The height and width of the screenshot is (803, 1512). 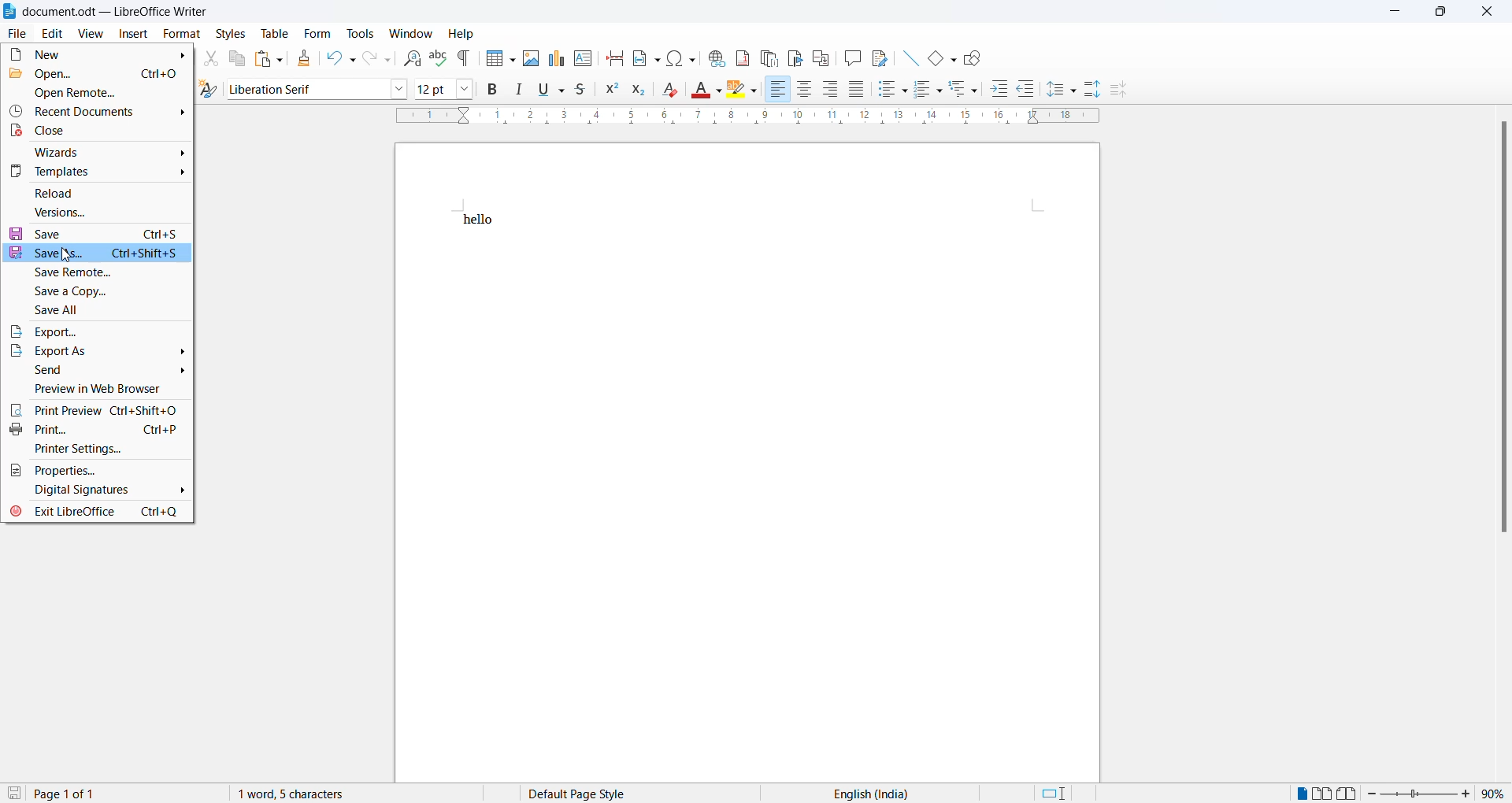 What do you see at coordinates (97, 233) in the screenshot?
I see `save` at bounding box center [97, 233].